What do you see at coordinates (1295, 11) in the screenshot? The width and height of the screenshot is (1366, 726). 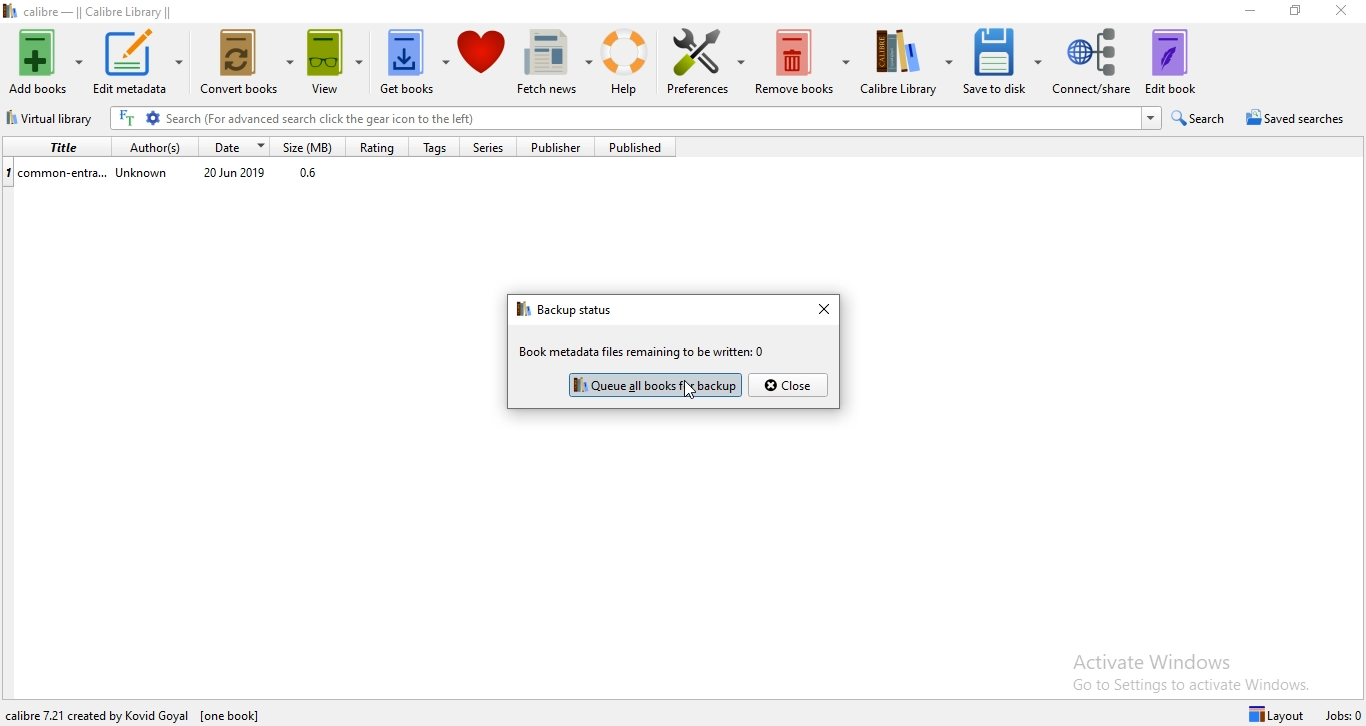 I see `Restore` at bounding box center [1295, 11].